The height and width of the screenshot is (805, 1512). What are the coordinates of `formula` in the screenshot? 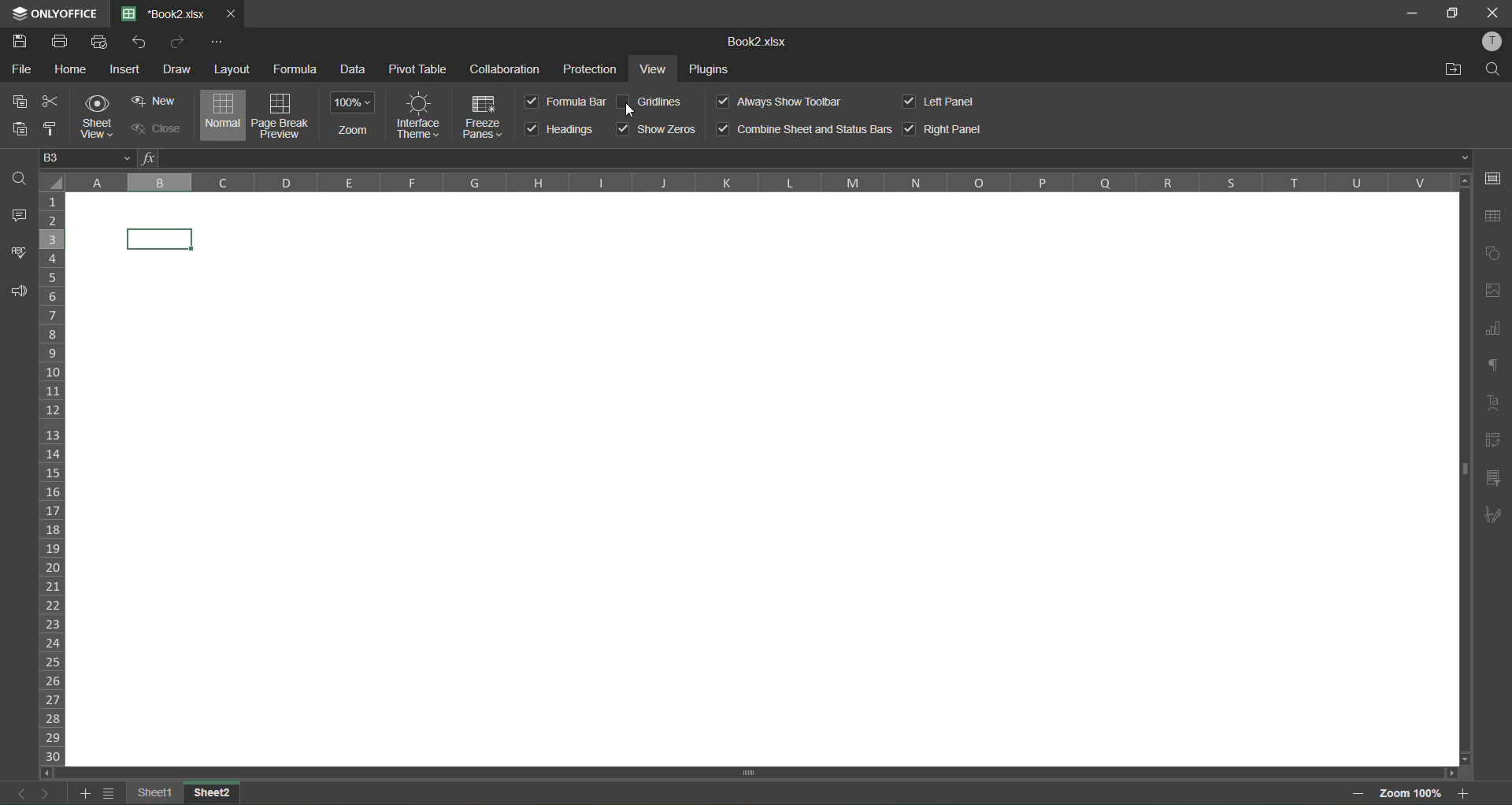 It's located at (295, 66).